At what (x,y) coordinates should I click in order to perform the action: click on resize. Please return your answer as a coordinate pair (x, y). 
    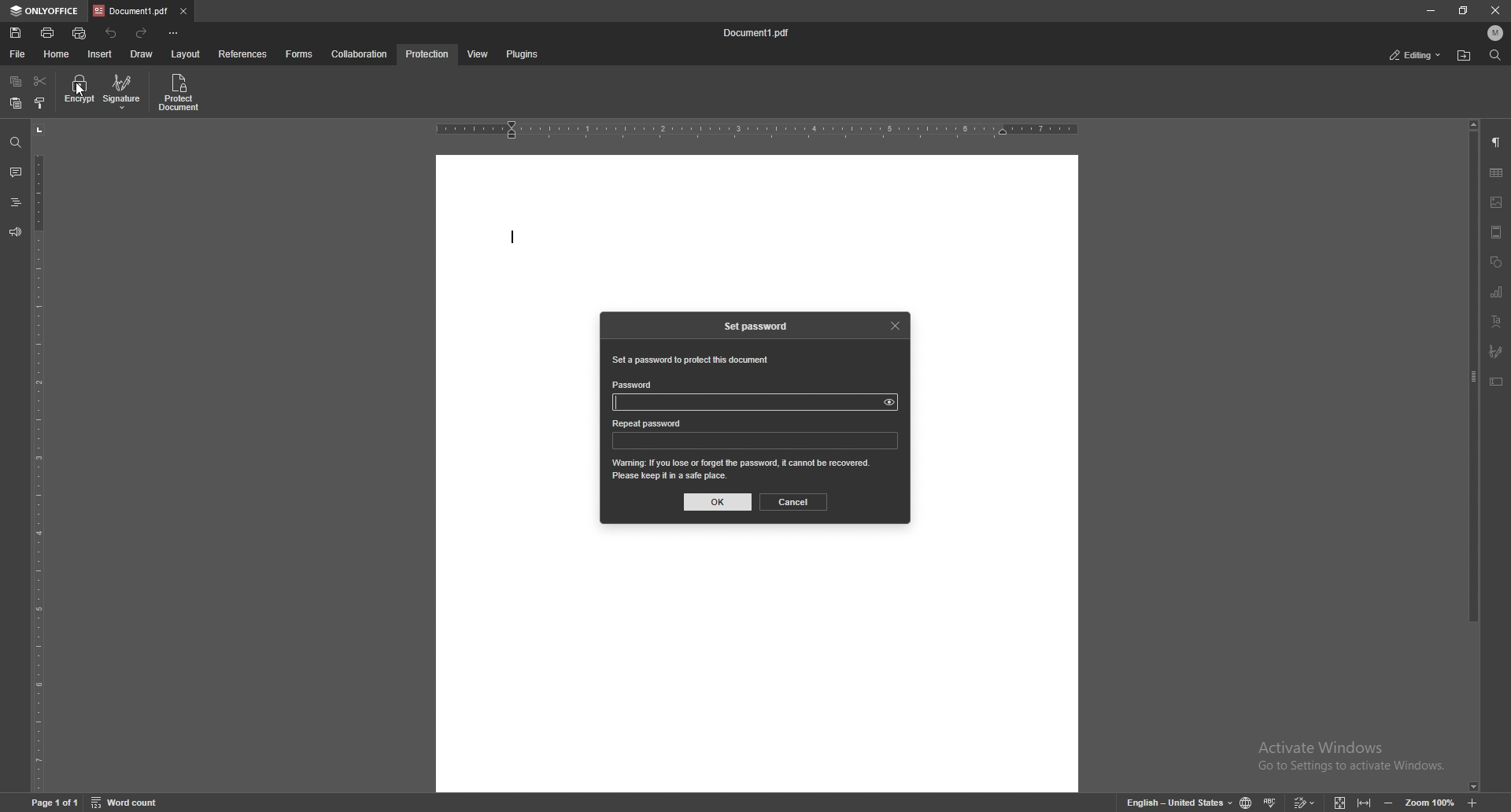
    Looking at the image, I should click on (1465, 11).